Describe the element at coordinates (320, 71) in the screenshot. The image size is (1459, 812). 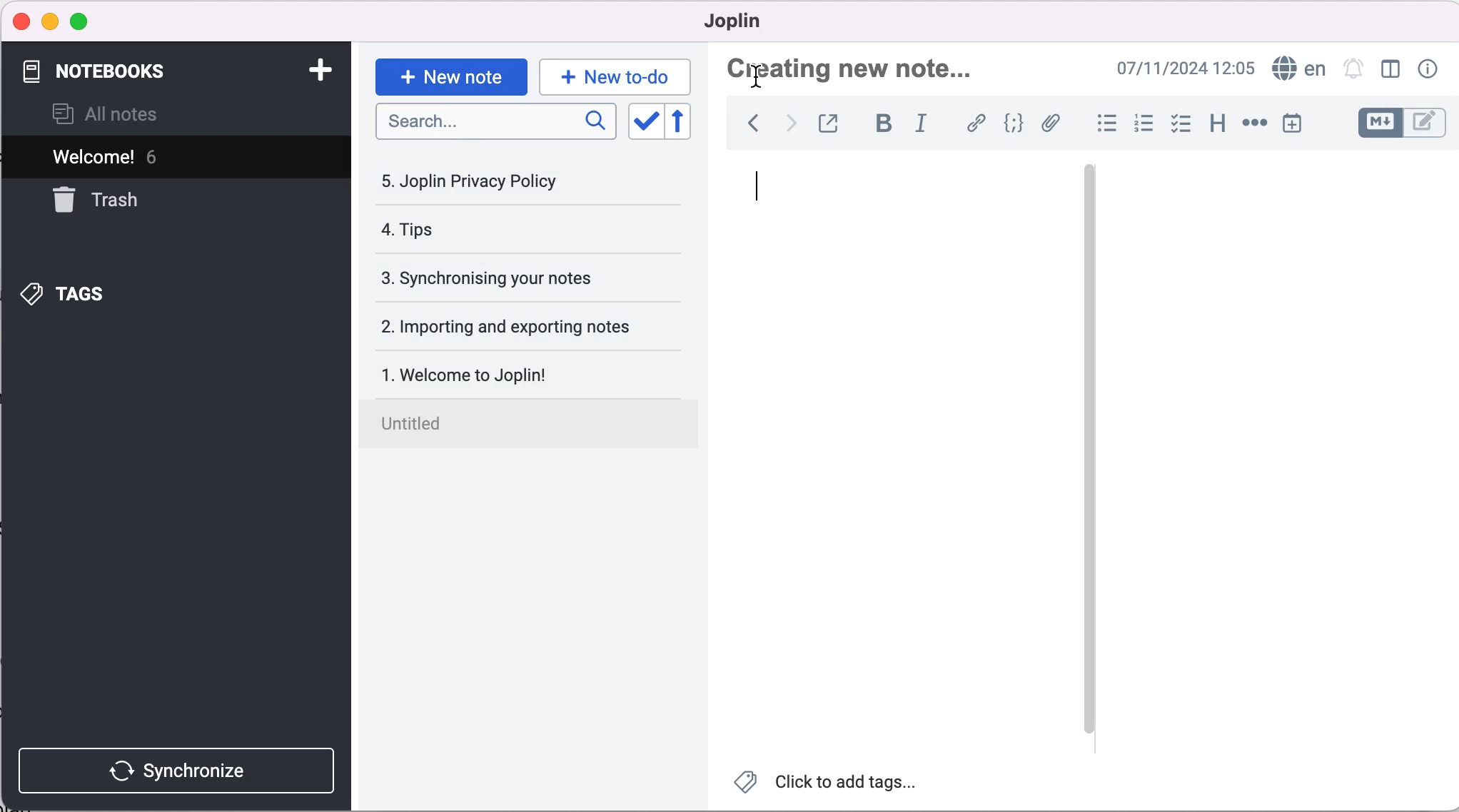
I see `add notebook` at that location.